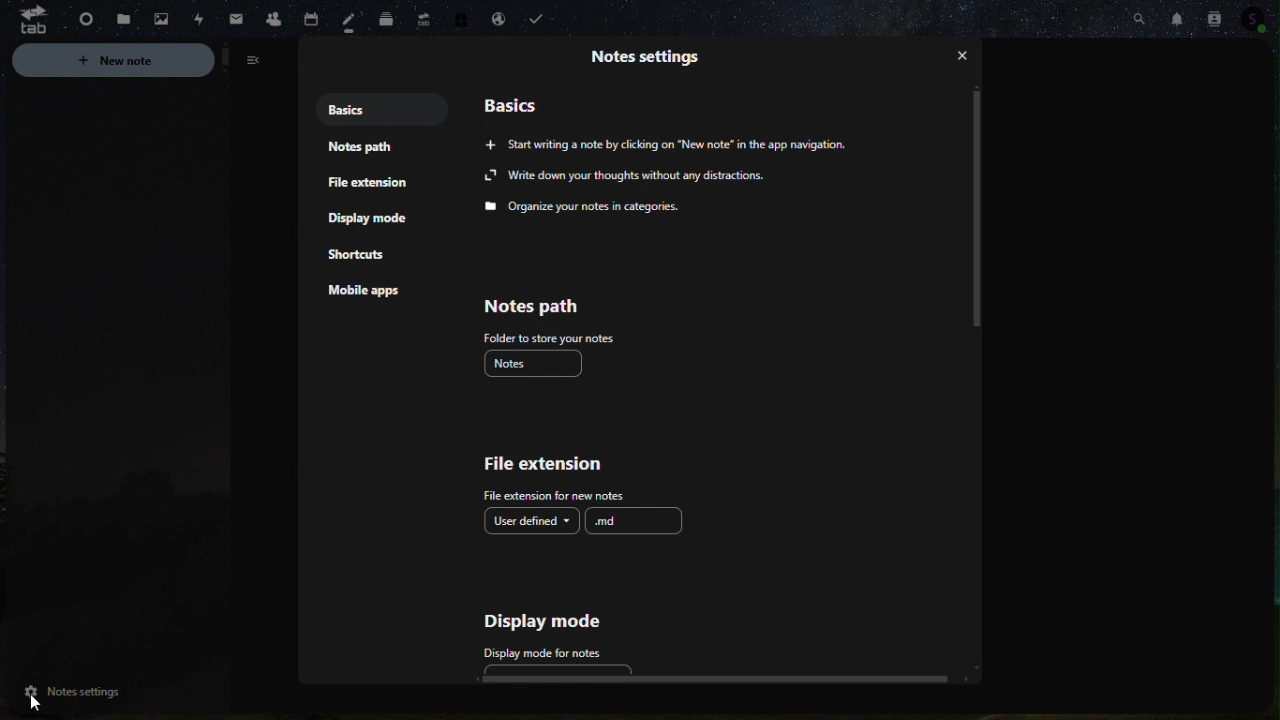 The height and width of the screenshot is (720, 1280). Describe the element at coordinates (236, 15) in the screenshot. I see `mail` at that location.